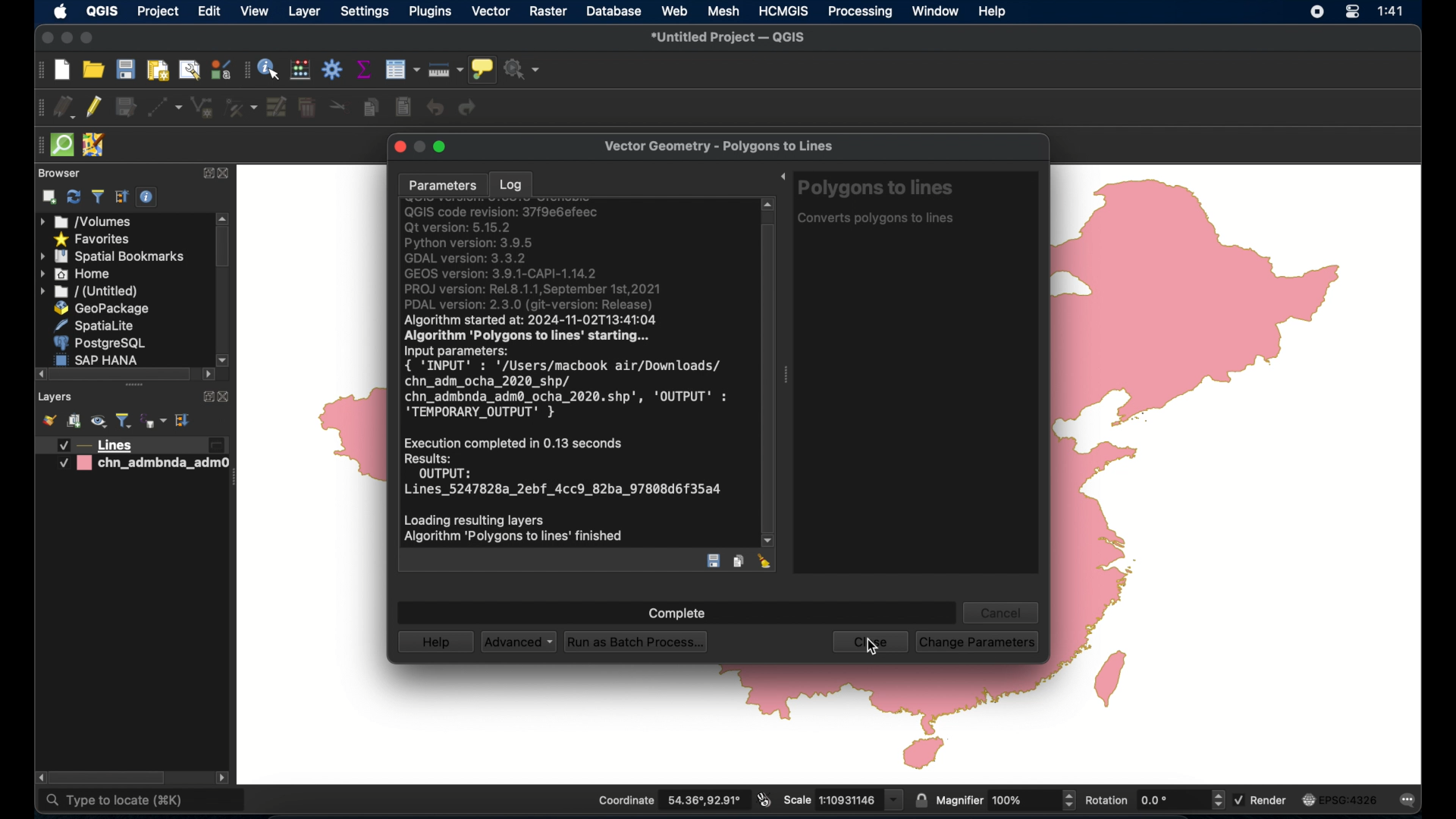  What do you see at coordinates (207, 376) in the screenshot?
I see `scrol lleft arrow` at bounding box center [207, 376].